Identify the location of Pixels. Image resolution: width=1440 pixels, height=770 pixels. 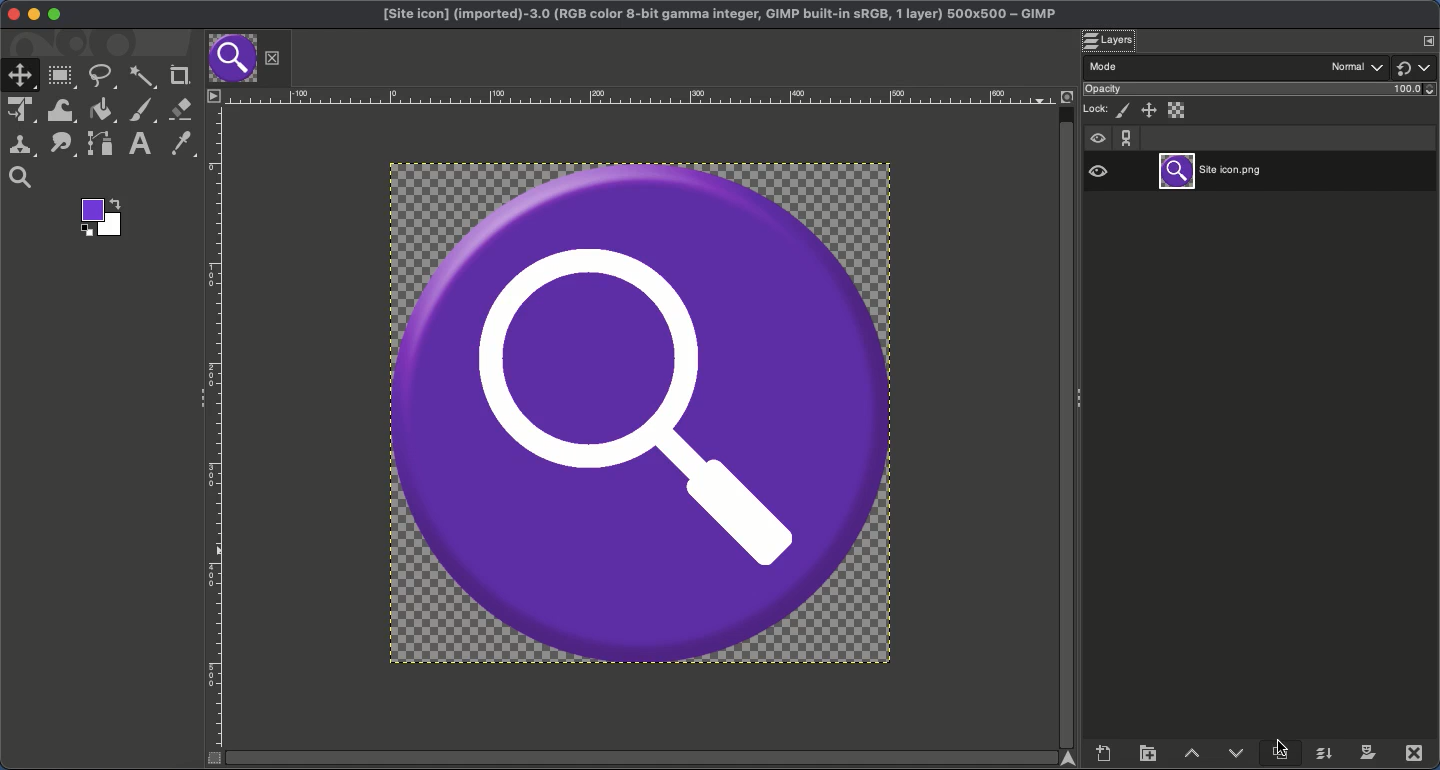
(1124, 111).